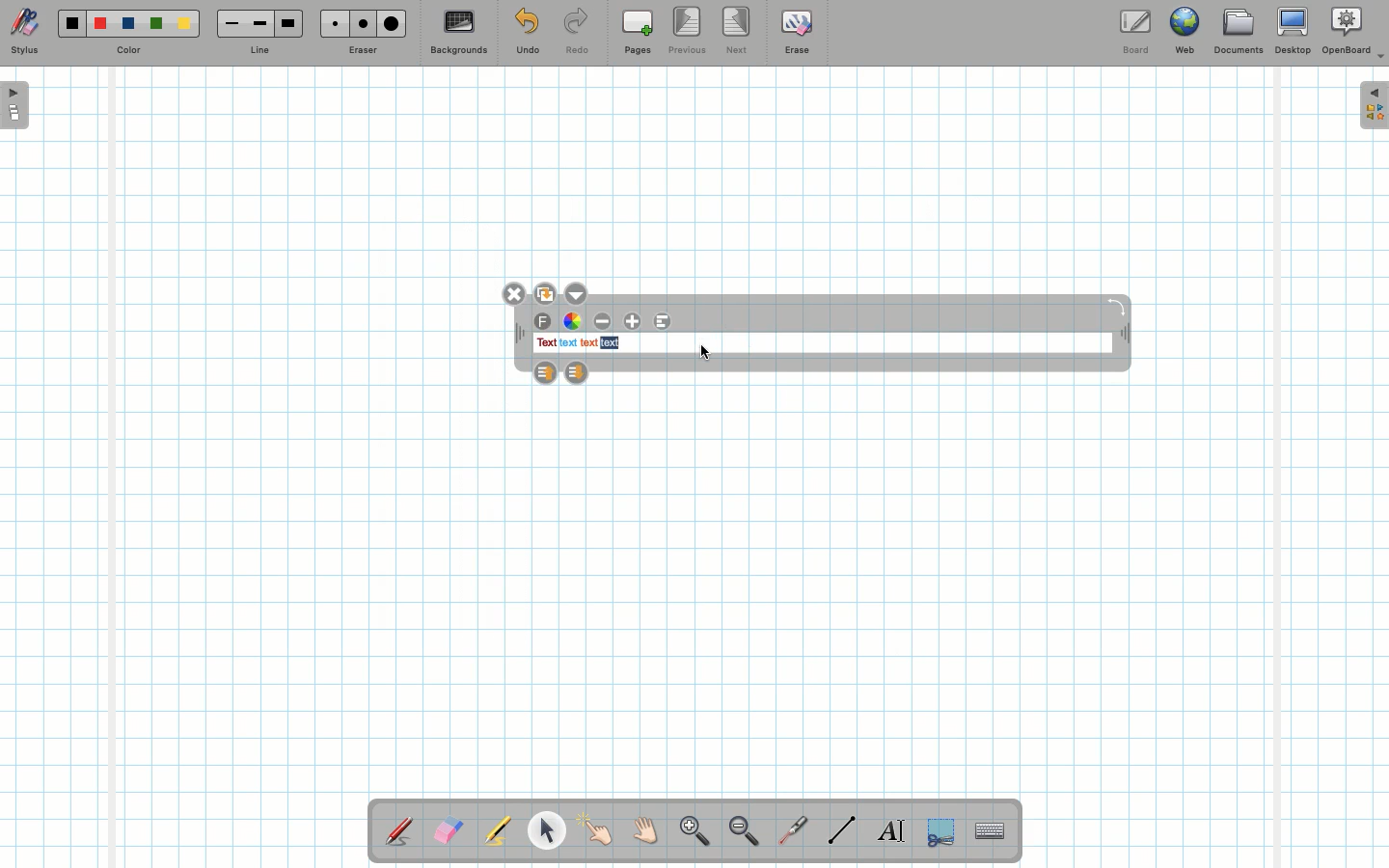 This screenshot has width=1389, height=868. What do you see at coordinates (259, 51) in the screenshot?
I see `Line` at bounding box center [259, 51].